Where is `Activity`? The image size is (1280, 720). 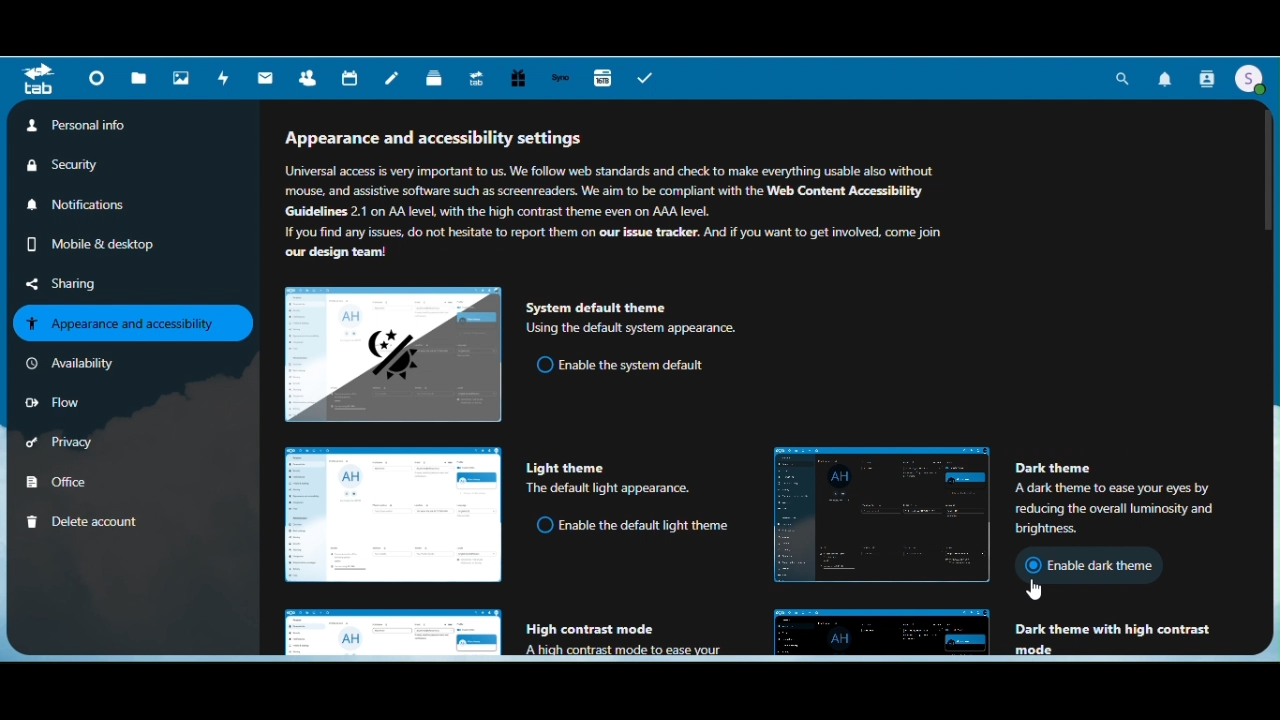
Activity is located at coordinates (223, 80).